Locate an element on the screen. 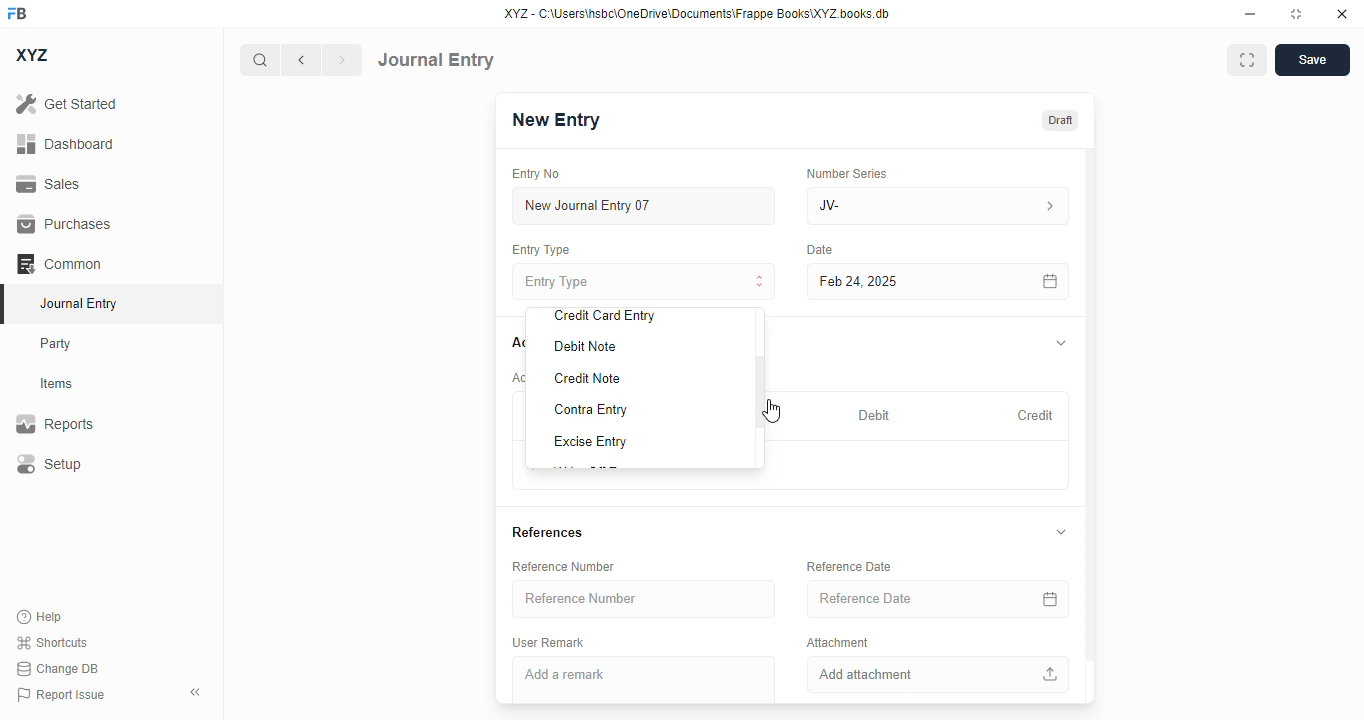  entry type is located at coordinates (542, 250).